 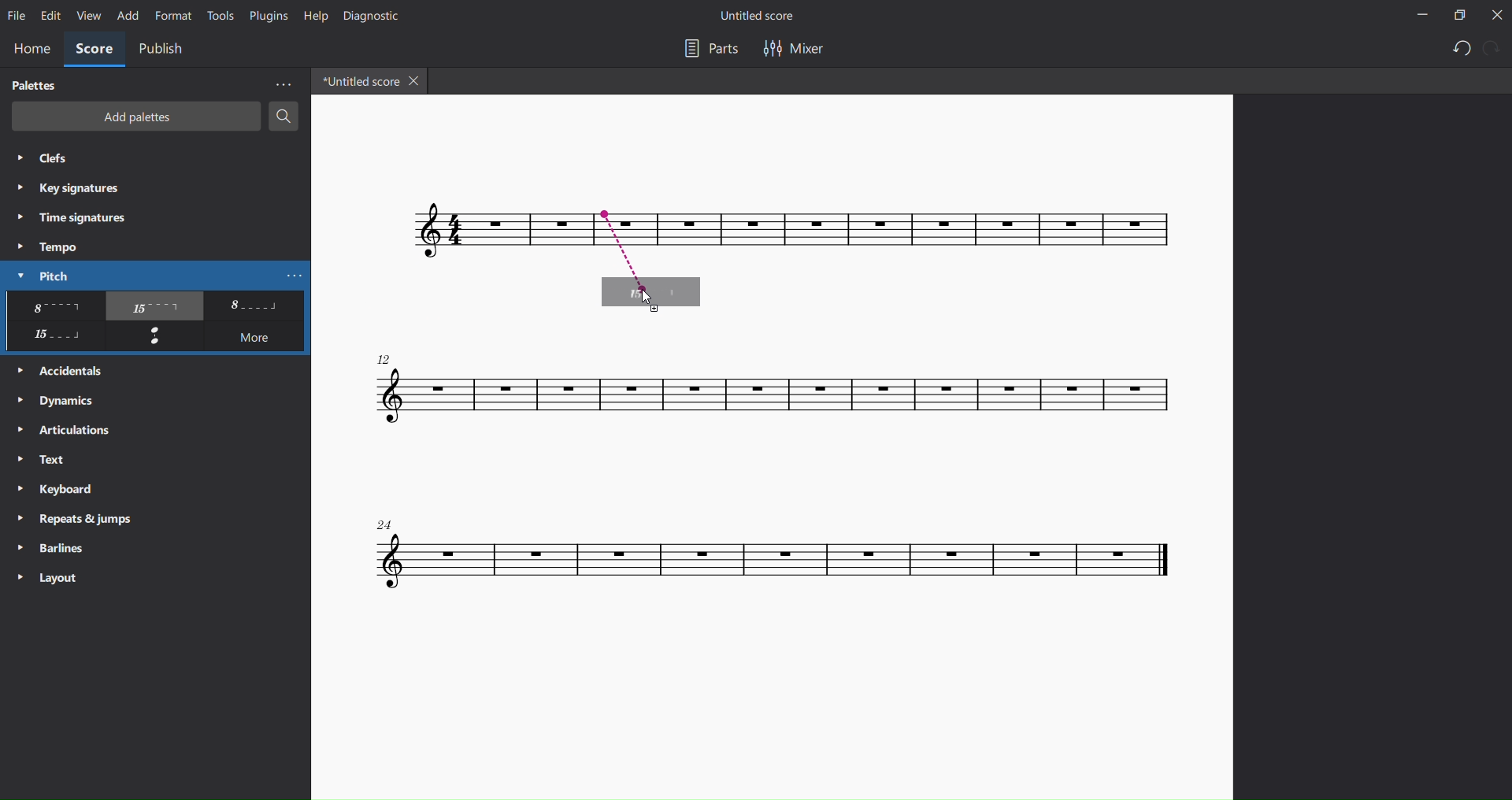 I want to click on close, so click(x=1495, y=14).